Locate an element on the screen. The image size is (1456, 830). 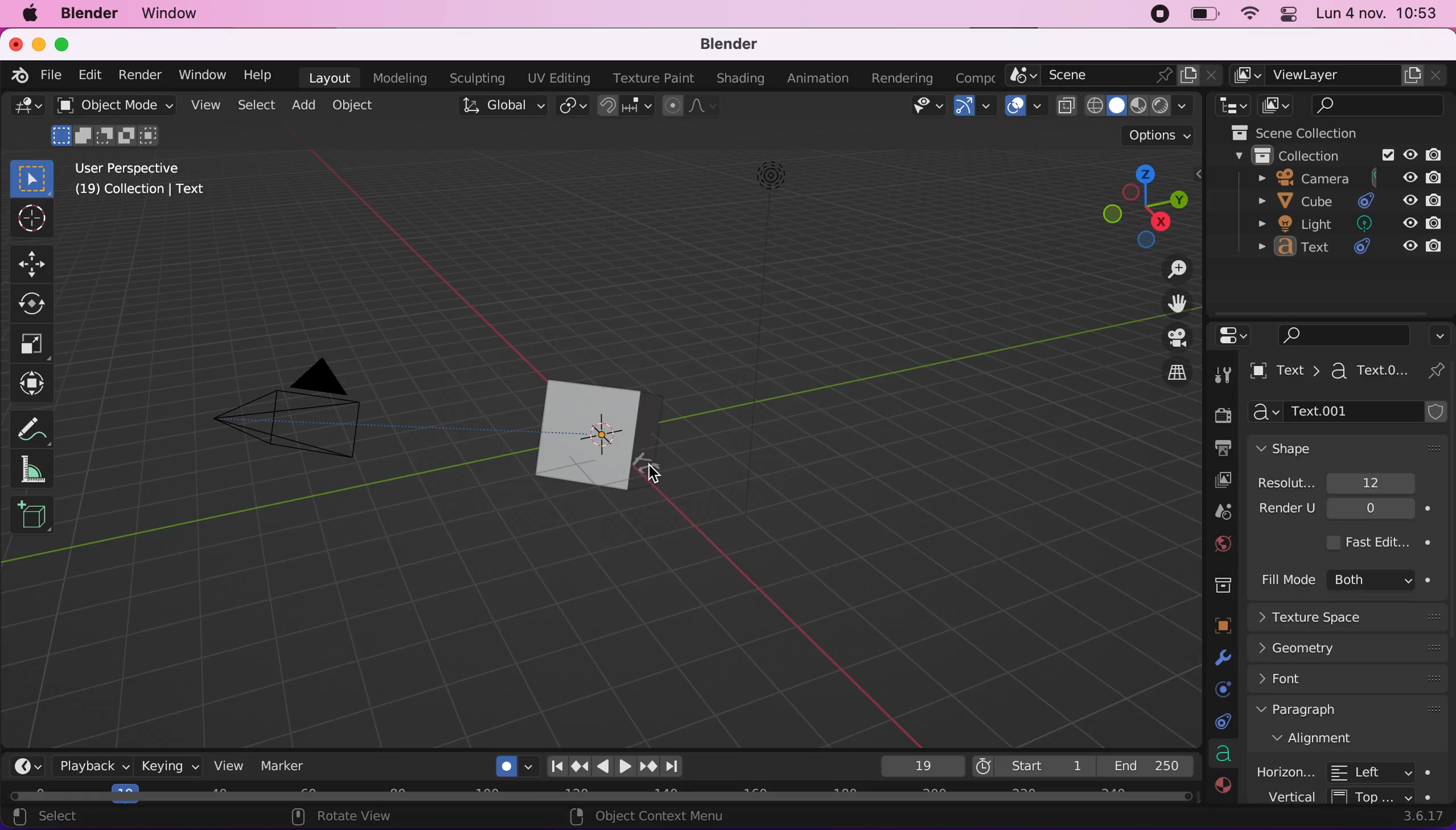
object mode is located at coordinates (116, 124).